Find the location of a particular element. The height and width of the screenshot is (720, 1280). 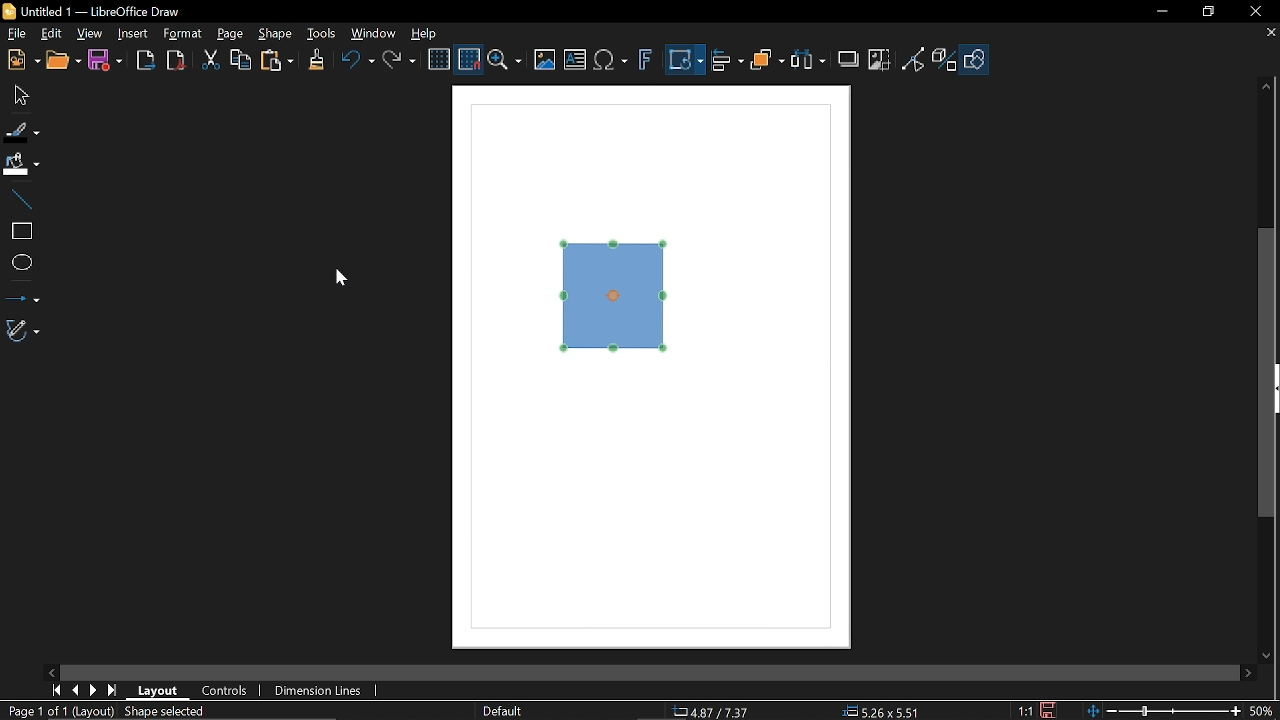

Move left is located at coordinates (52, 672).